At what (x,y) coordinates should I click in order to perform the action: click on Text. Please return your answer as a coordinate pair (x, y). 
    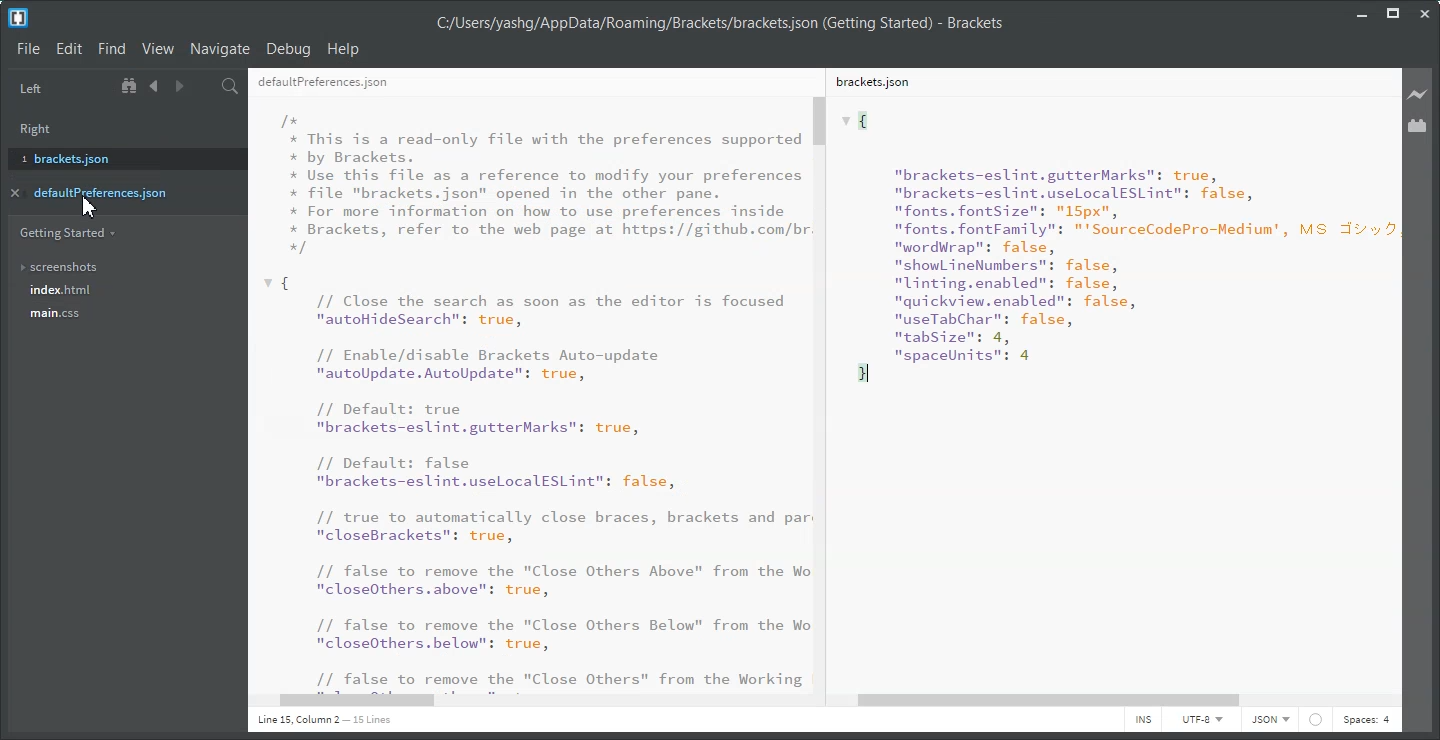
    Looking at the image, I should click on (324, 720).